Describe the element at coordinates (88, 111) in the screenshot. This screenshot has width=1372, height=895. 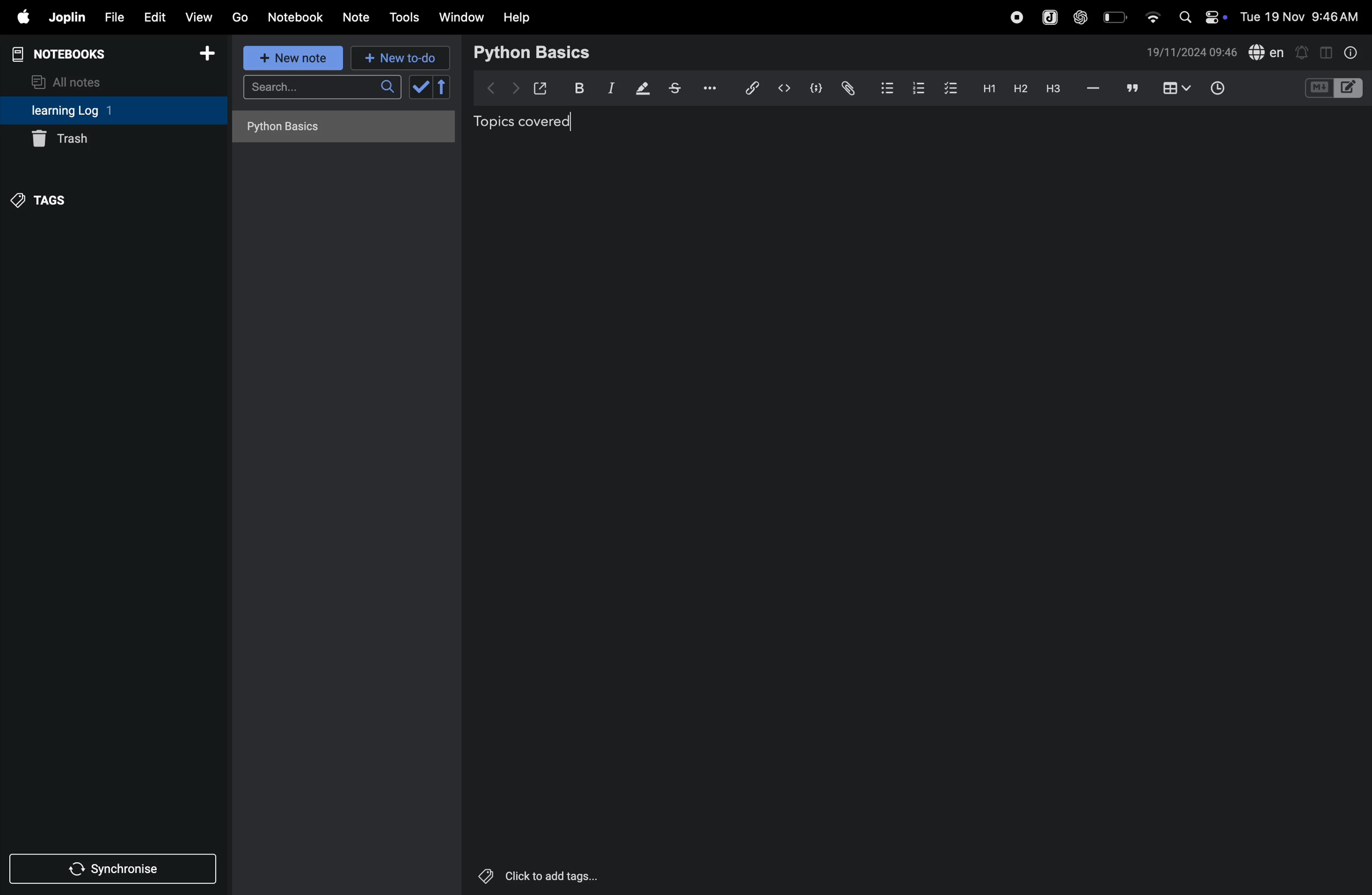
I see `learning log` at that location.